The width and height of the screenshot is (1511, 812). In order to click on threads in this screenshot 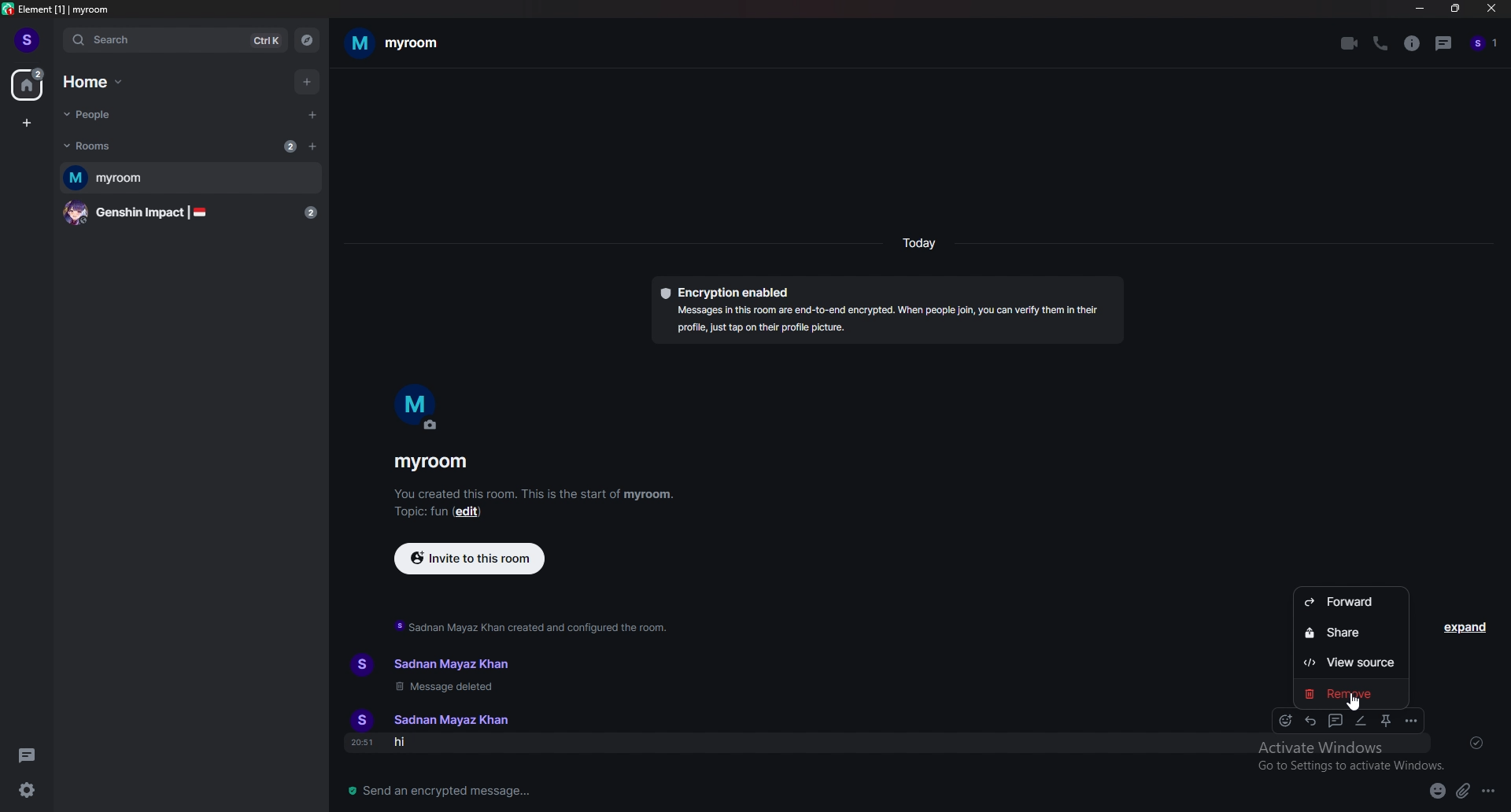, I will do `click(1334, 721)`.